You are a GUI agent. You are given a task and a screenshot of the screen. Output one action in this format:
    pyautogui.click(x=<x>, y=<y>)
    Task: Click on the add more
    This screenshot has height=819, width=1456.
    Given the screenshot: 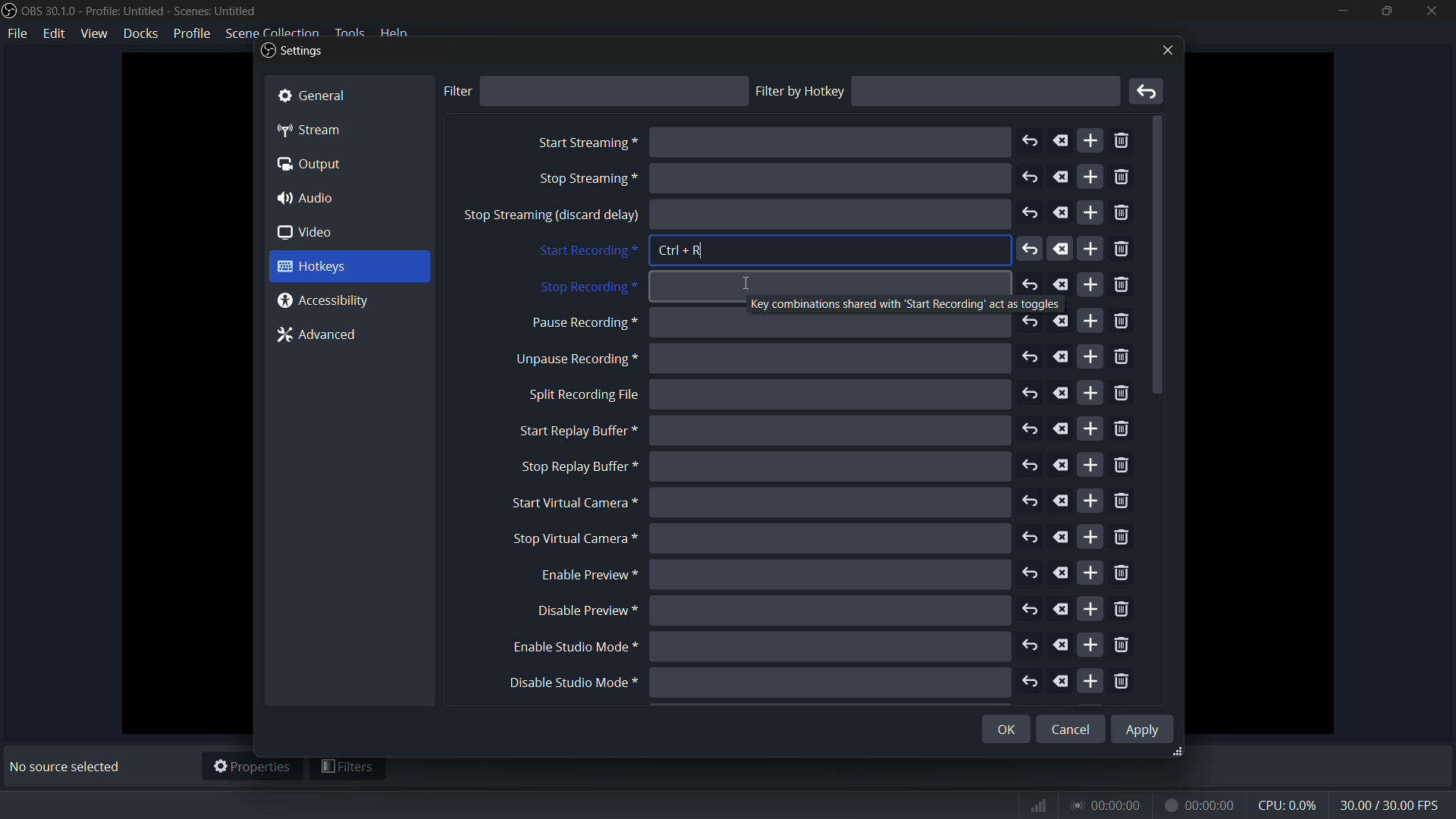 What is the action you would take?
    pyautogui.click(x=1092, y=249)
    